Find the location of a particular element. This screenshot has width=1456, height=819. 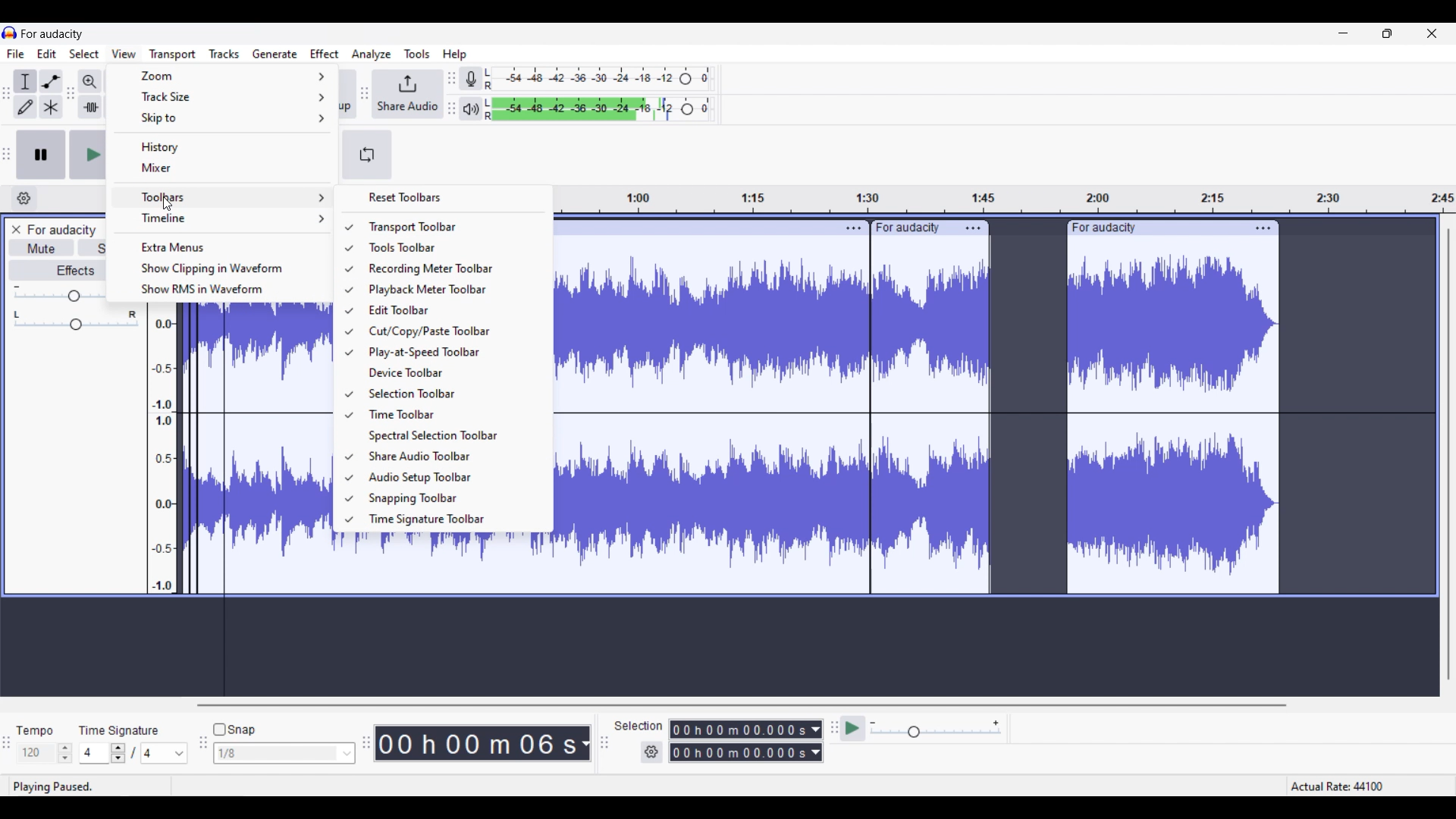

Cut/Copy/Paste toolbar is located at coordinates (450, 331).